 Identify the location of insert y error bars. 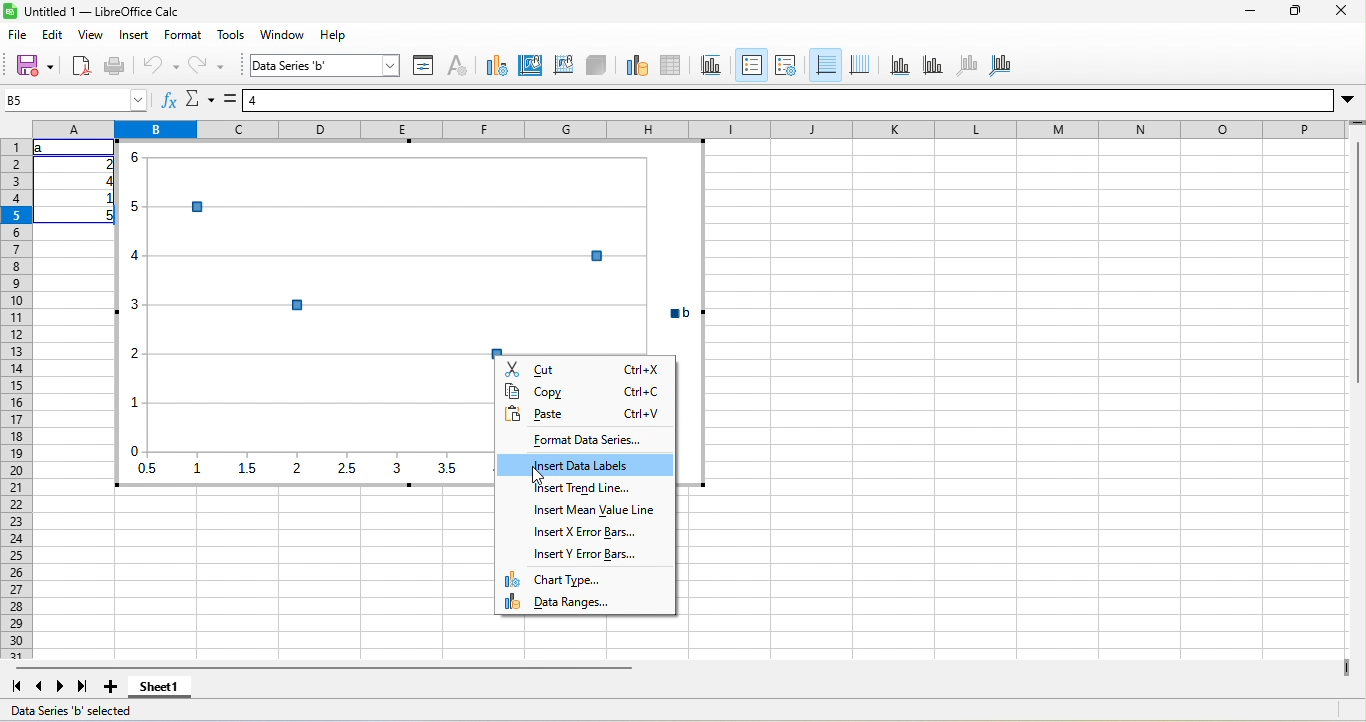
(584, 554).